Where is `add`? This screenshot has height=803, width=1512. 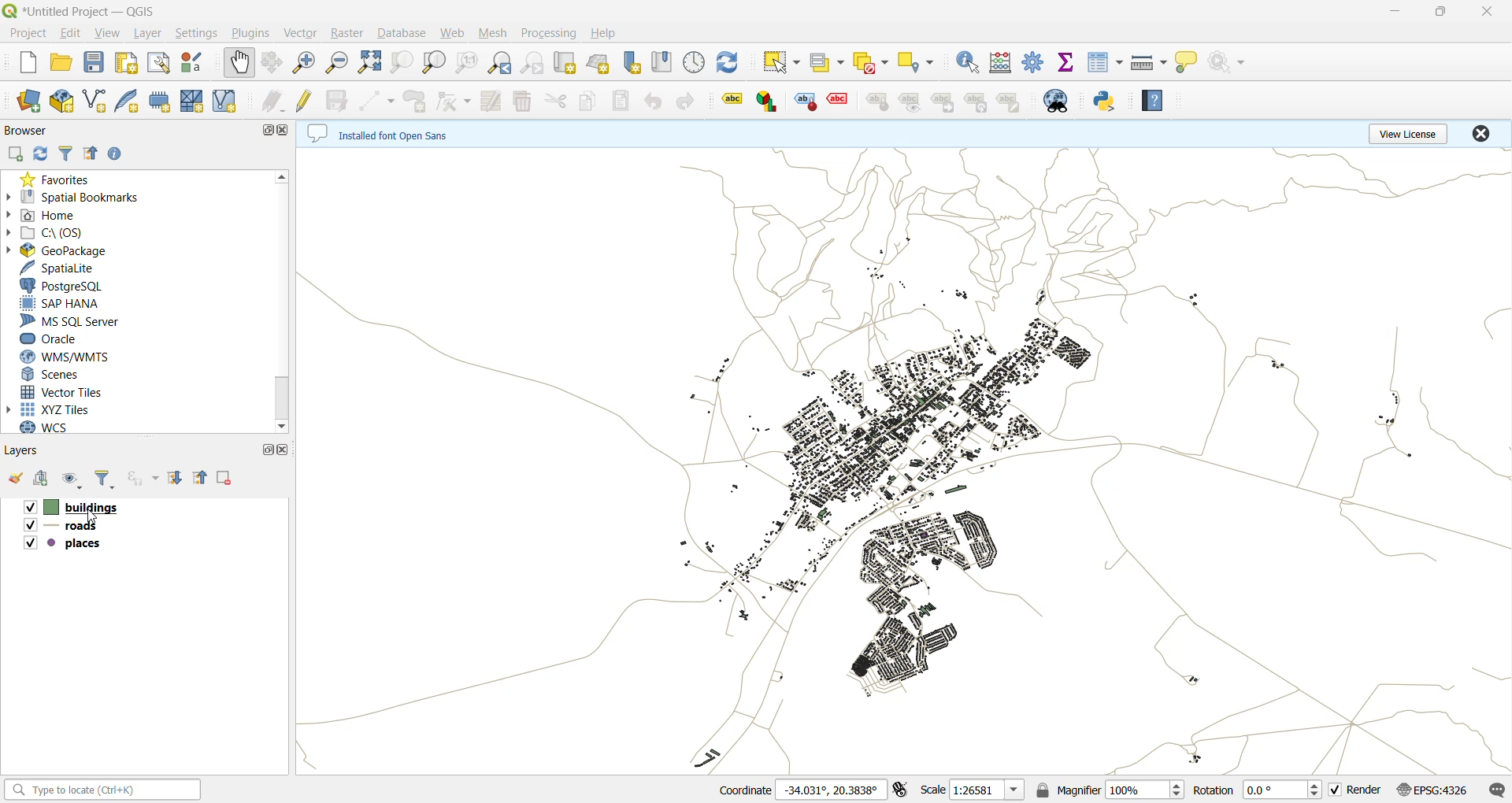 add is located at coordinates (42, 479).